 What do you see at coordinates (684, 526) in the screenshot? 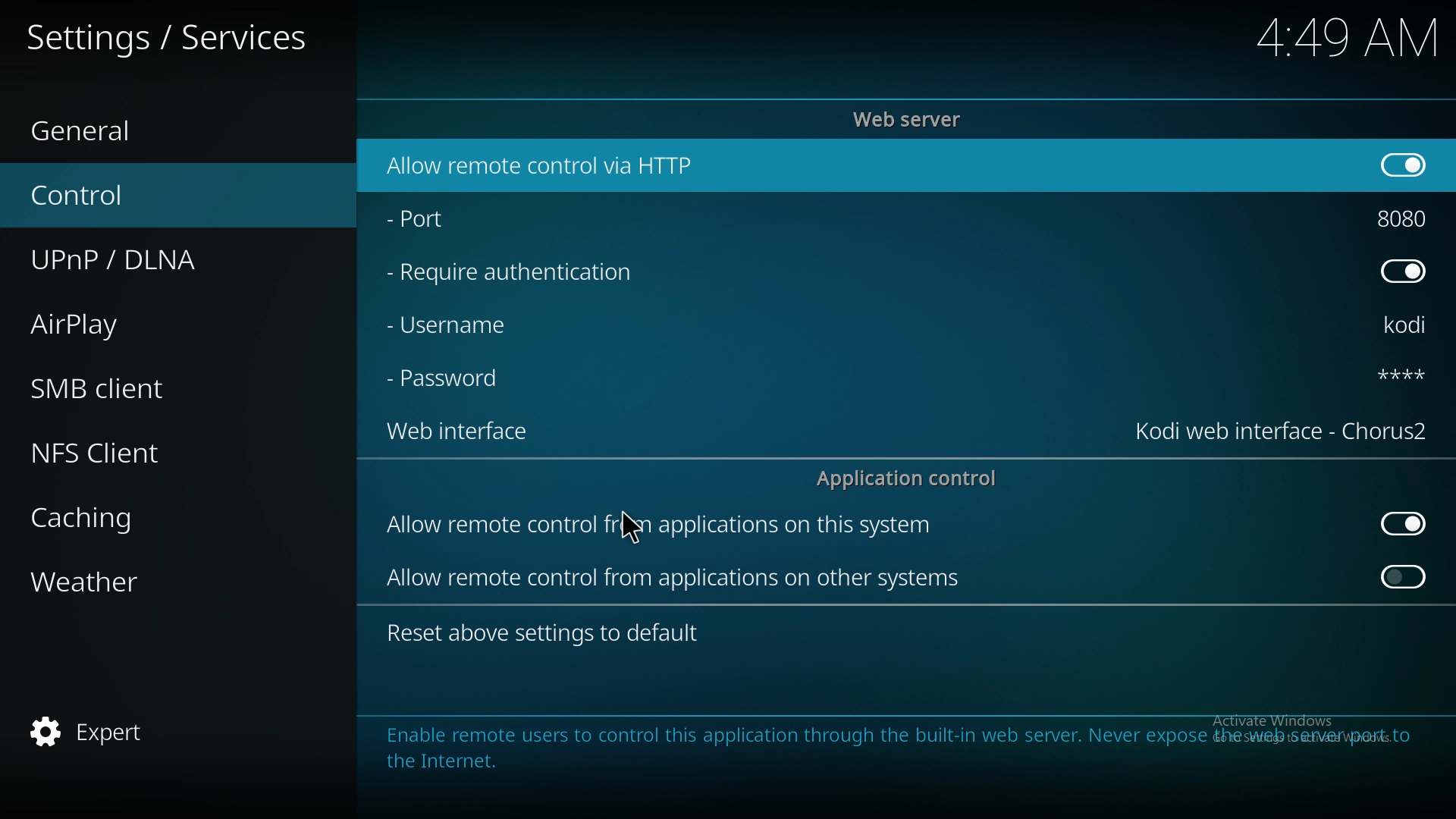
I see `allow remote control from apps on this system` at bounding box center [684, 526].